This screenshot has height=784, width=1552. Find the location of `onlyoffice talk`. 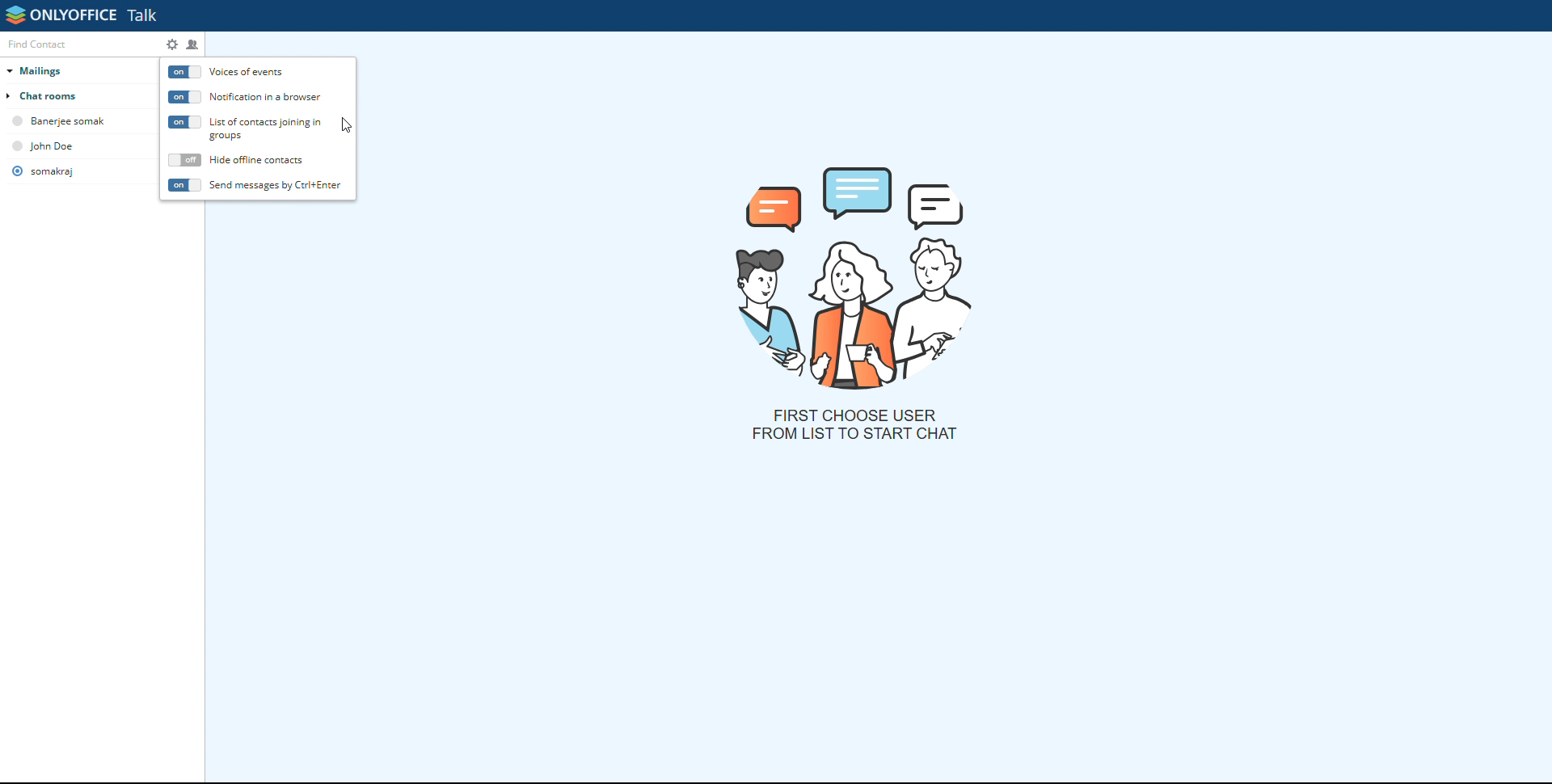

onlyoffice talk is located at coordinates (83, 15).